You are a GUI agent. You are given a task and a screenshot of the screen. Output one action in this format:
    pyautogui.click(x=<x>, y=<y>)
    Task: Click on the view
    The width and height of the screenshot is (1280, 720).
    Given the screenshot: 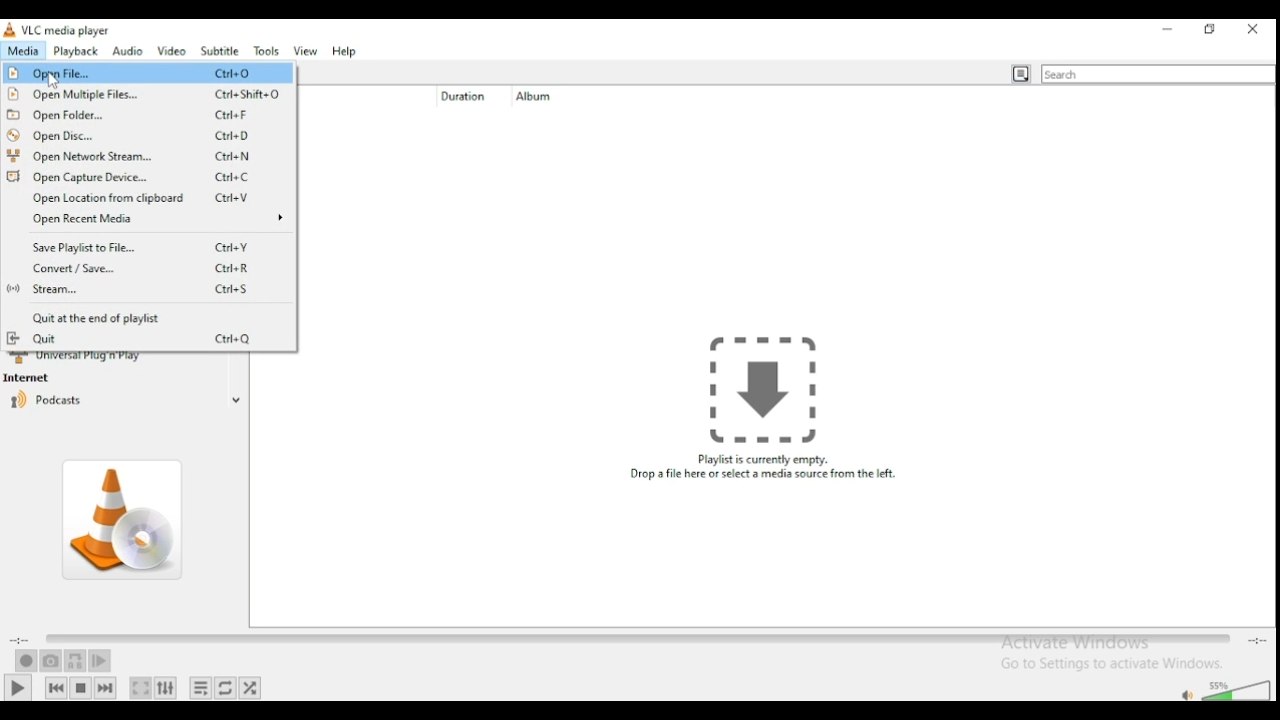 What is the action you would take?
    pyautogui.click(x=306, y=52)
    